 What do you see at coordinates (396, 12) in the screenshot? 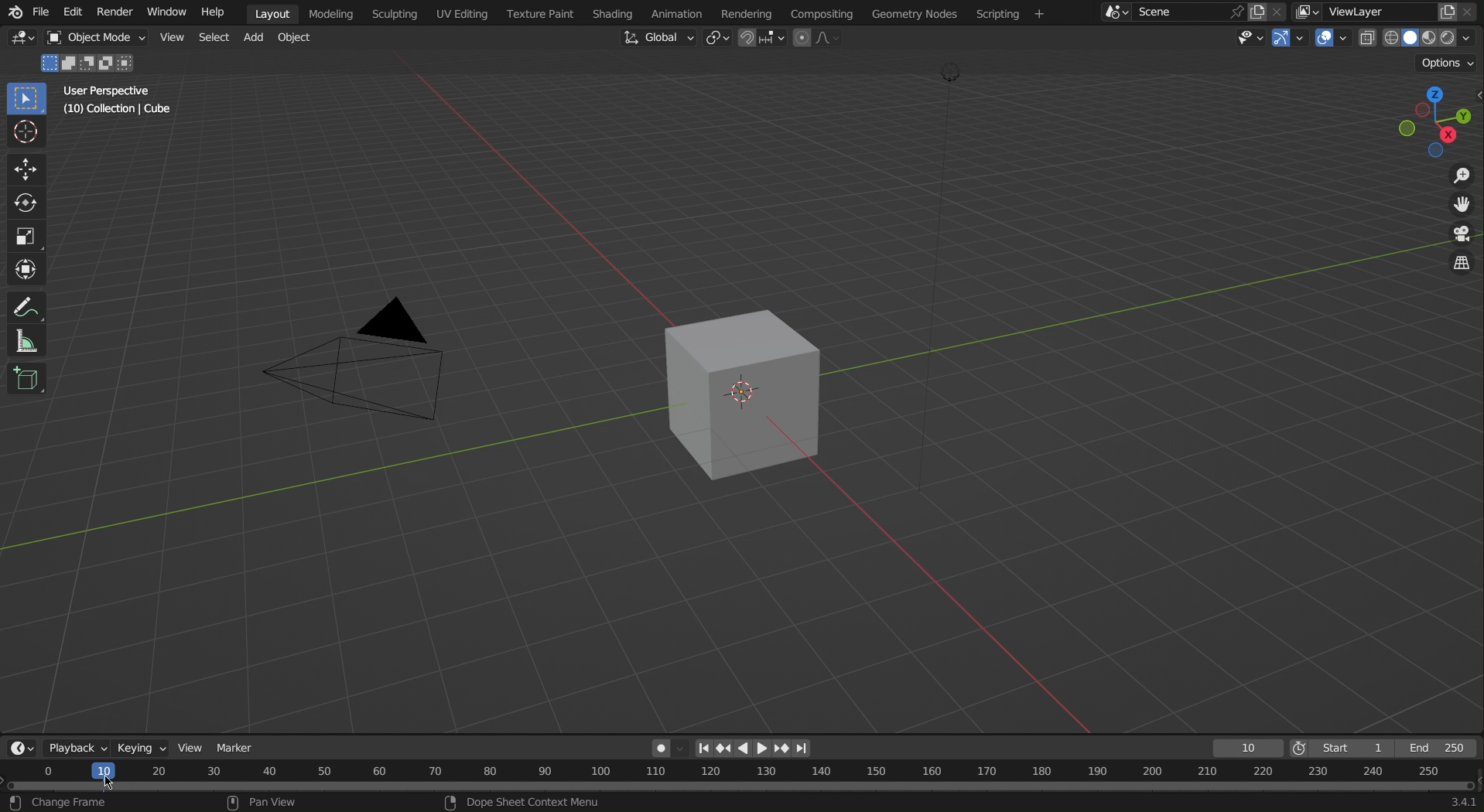
I see `Scripting` at bounding box center [396, 12].